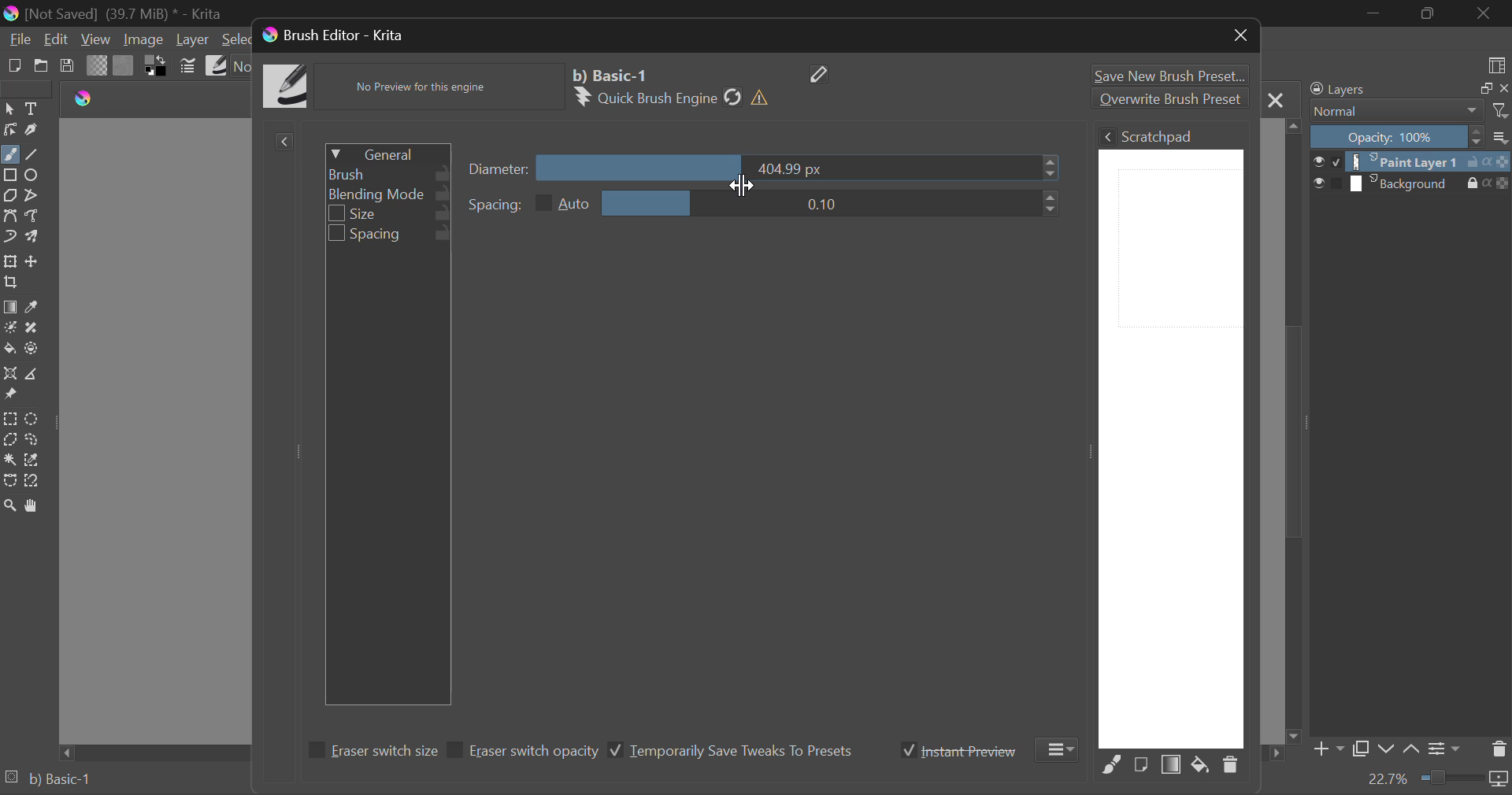 The height and width of the screenshot is (795, 1512). What do you see at coordinates (11, 176) in the screenshot?
I see `Rectangle` at bounding box center [11, 176].